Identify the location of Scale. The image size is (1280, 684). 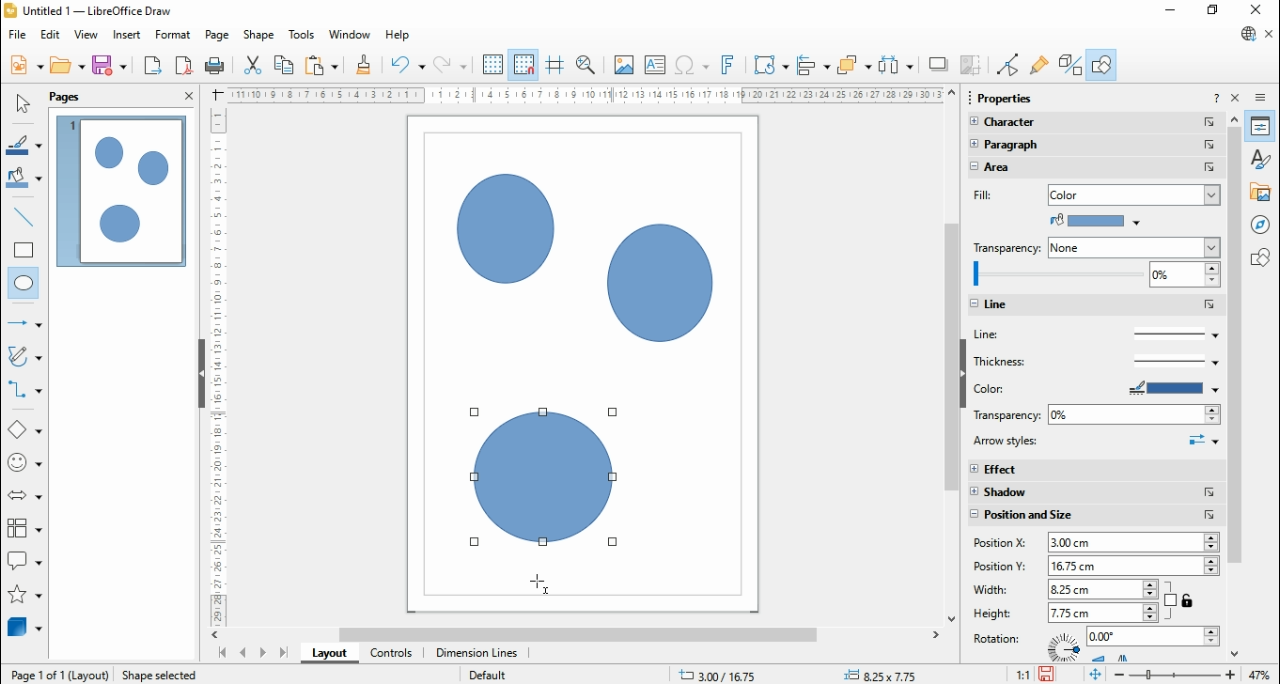
(585, 95).